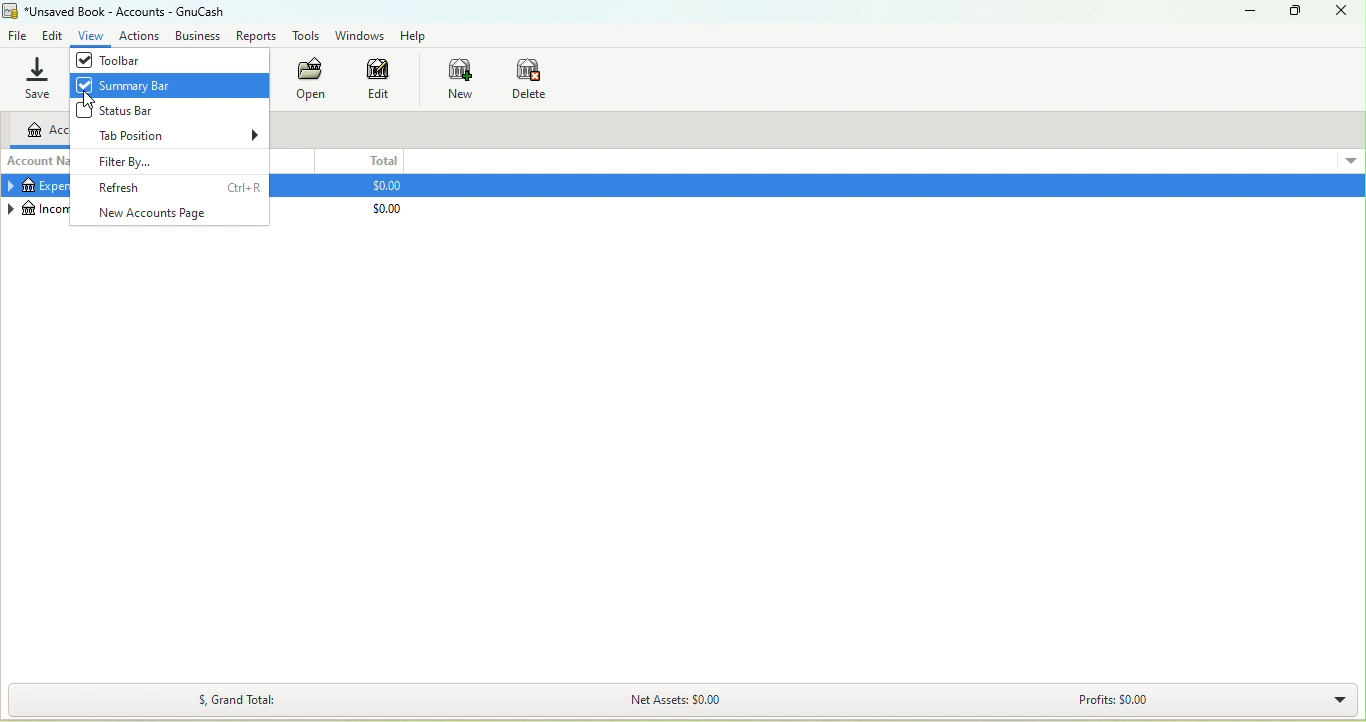 Image resolution: width=1366 pixels, height=722 pixels. I want to click on Maximize, so click(1295, 12).